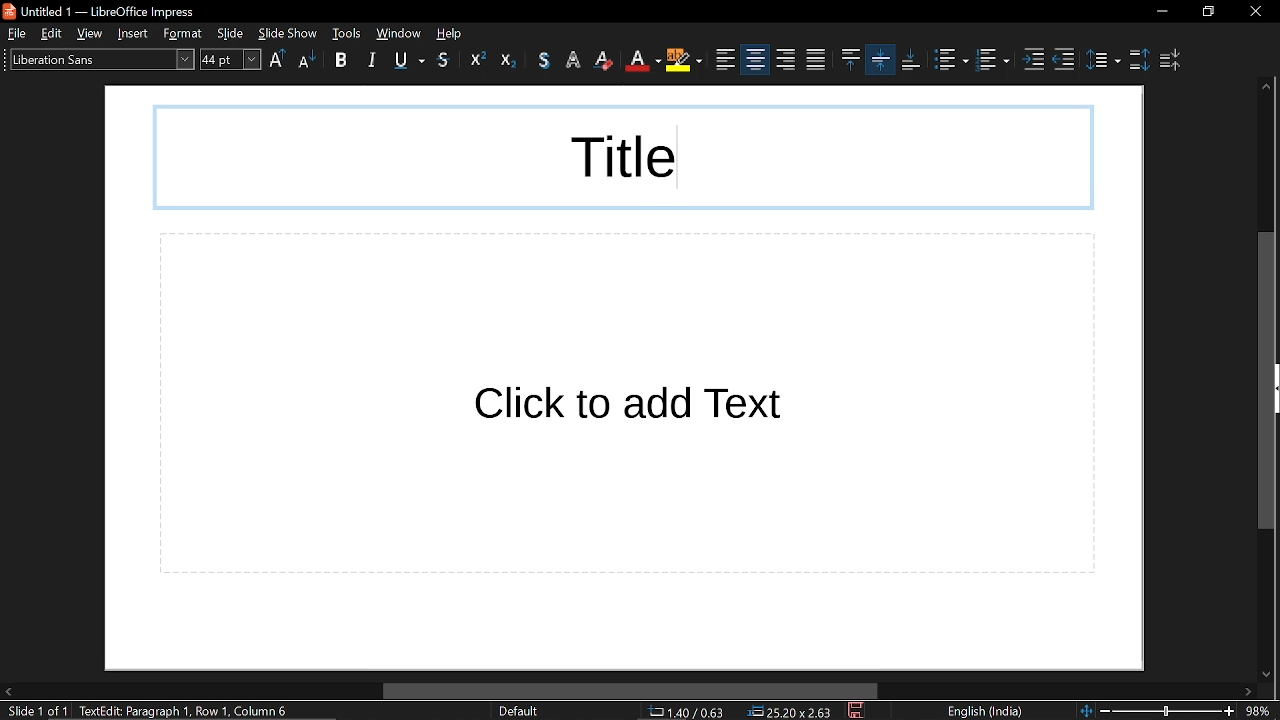 This screenshot has height=720, width=1280. What do you see at coordinates (605, 60) in the screenshot?
I see `text color` at bounding box center [605, 60].